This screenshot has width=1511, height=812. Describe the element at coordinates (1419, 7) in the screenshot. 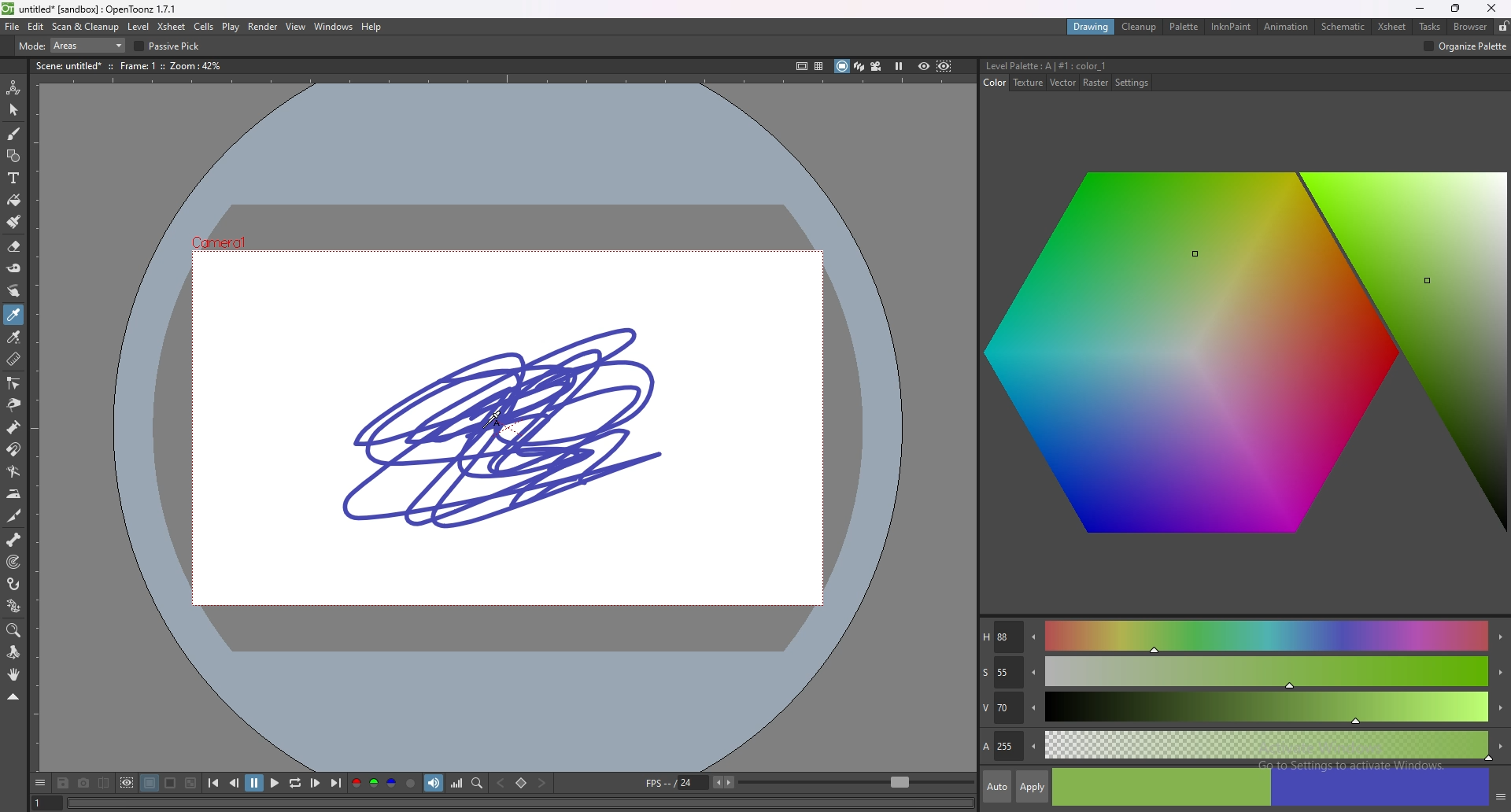

I see `minimize` at that location.